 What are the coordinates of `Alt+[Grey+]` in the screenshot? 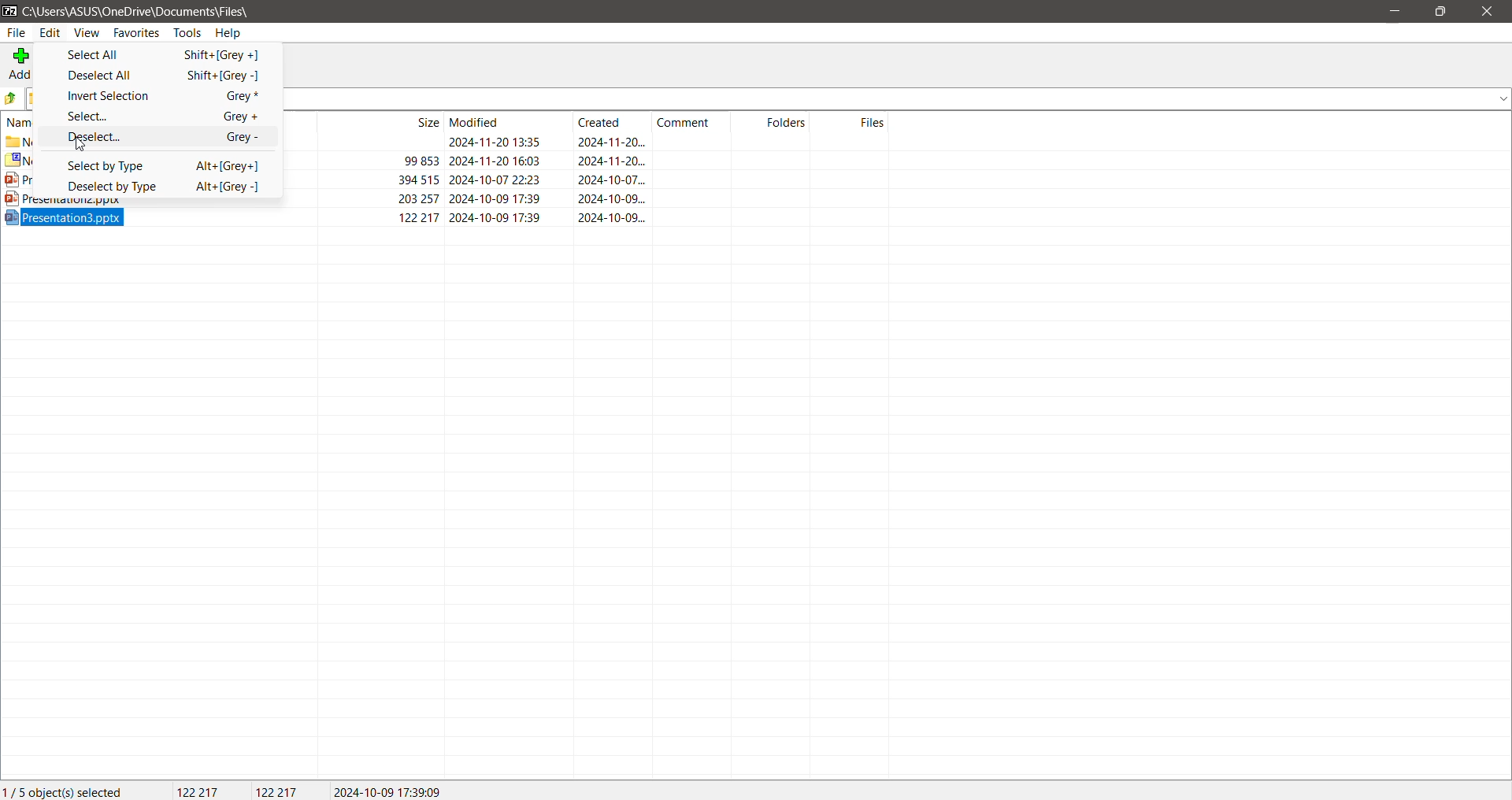 It's located at (220, 165).